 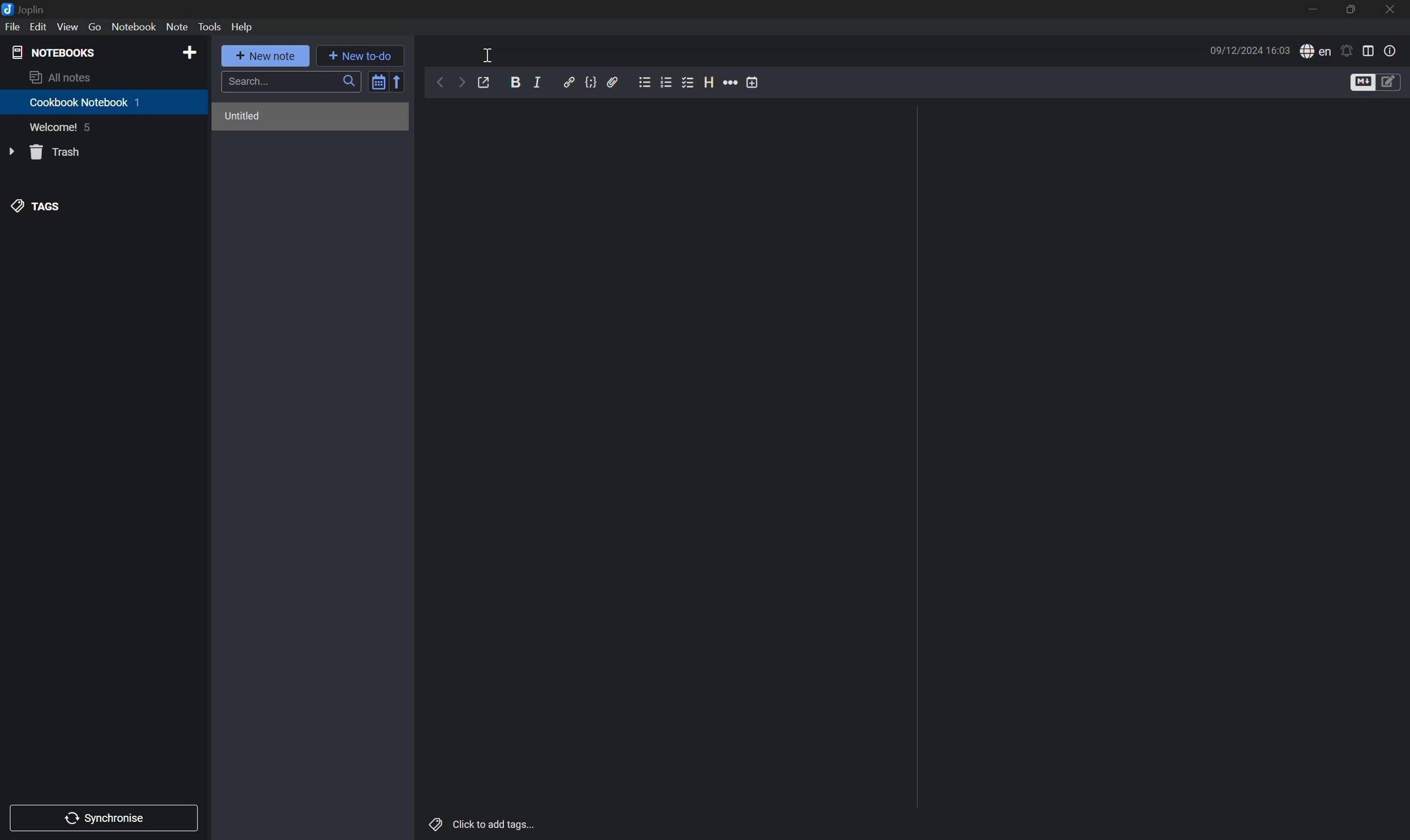 I want to click on Attach file, so click(x=614, y=83).